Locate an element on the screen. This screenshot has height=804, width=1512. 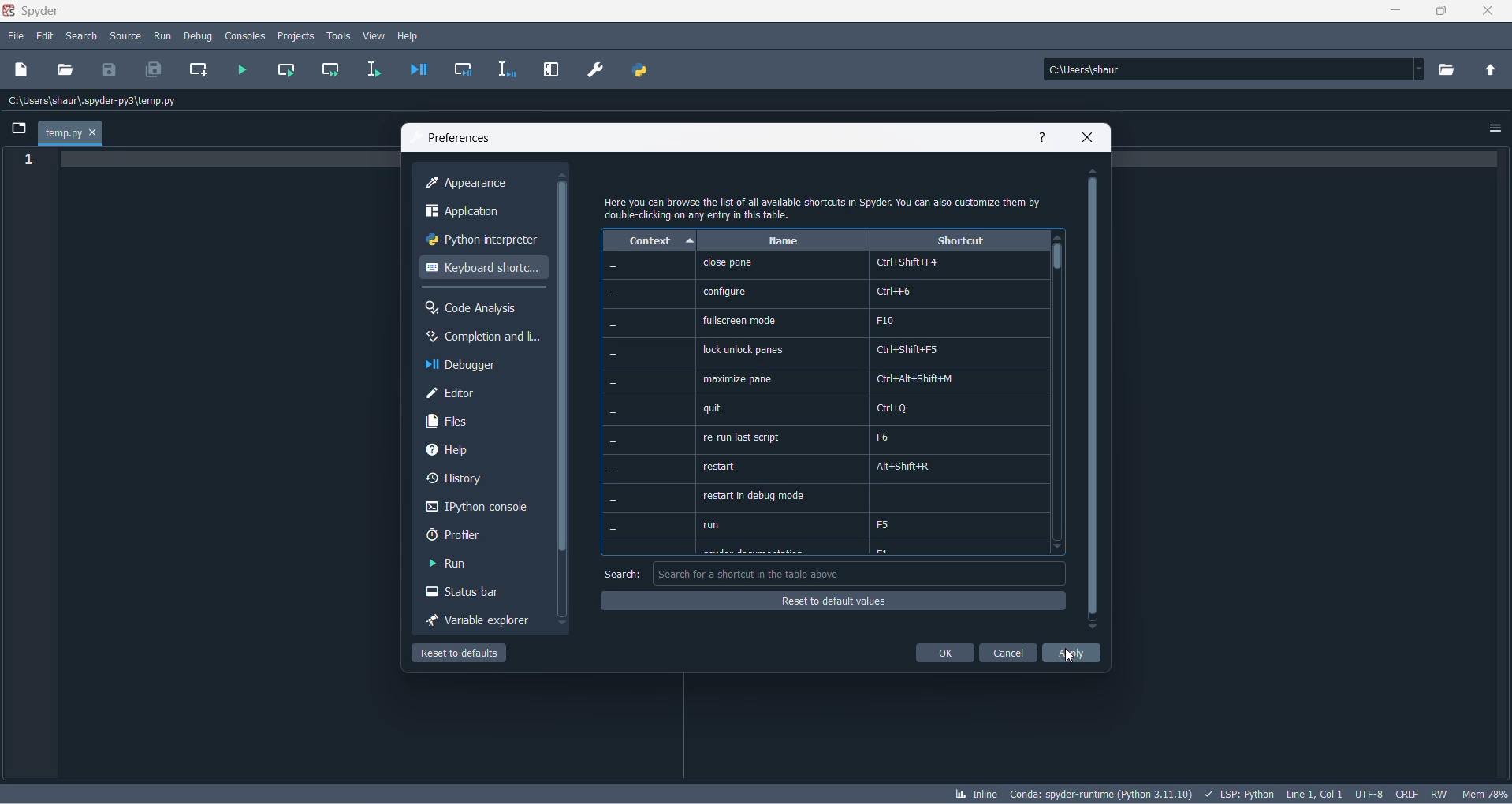
maximize is located at coordinates (1443, 12).